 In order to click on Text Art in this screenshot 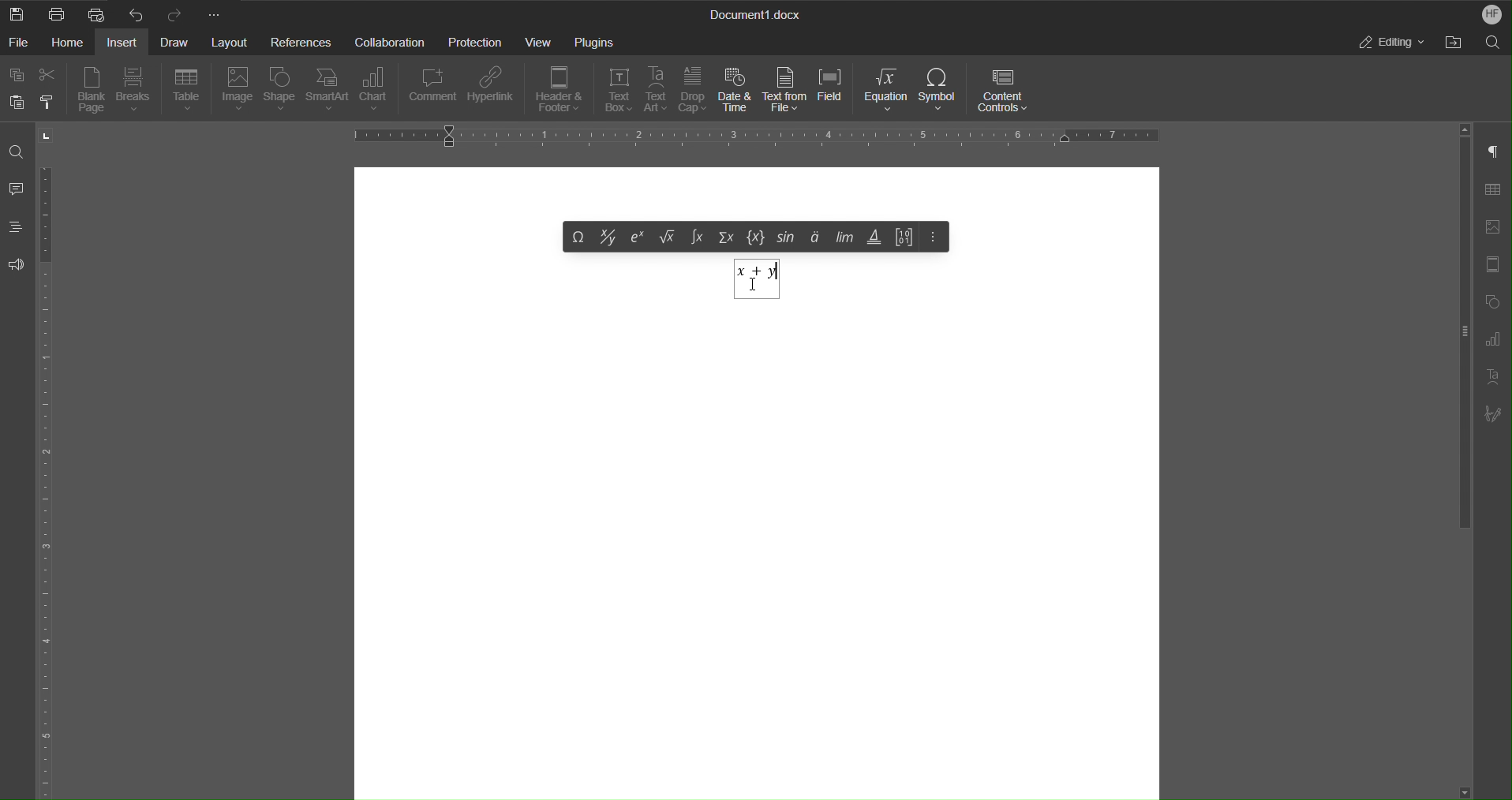, I will do `click(1491, 375)`.